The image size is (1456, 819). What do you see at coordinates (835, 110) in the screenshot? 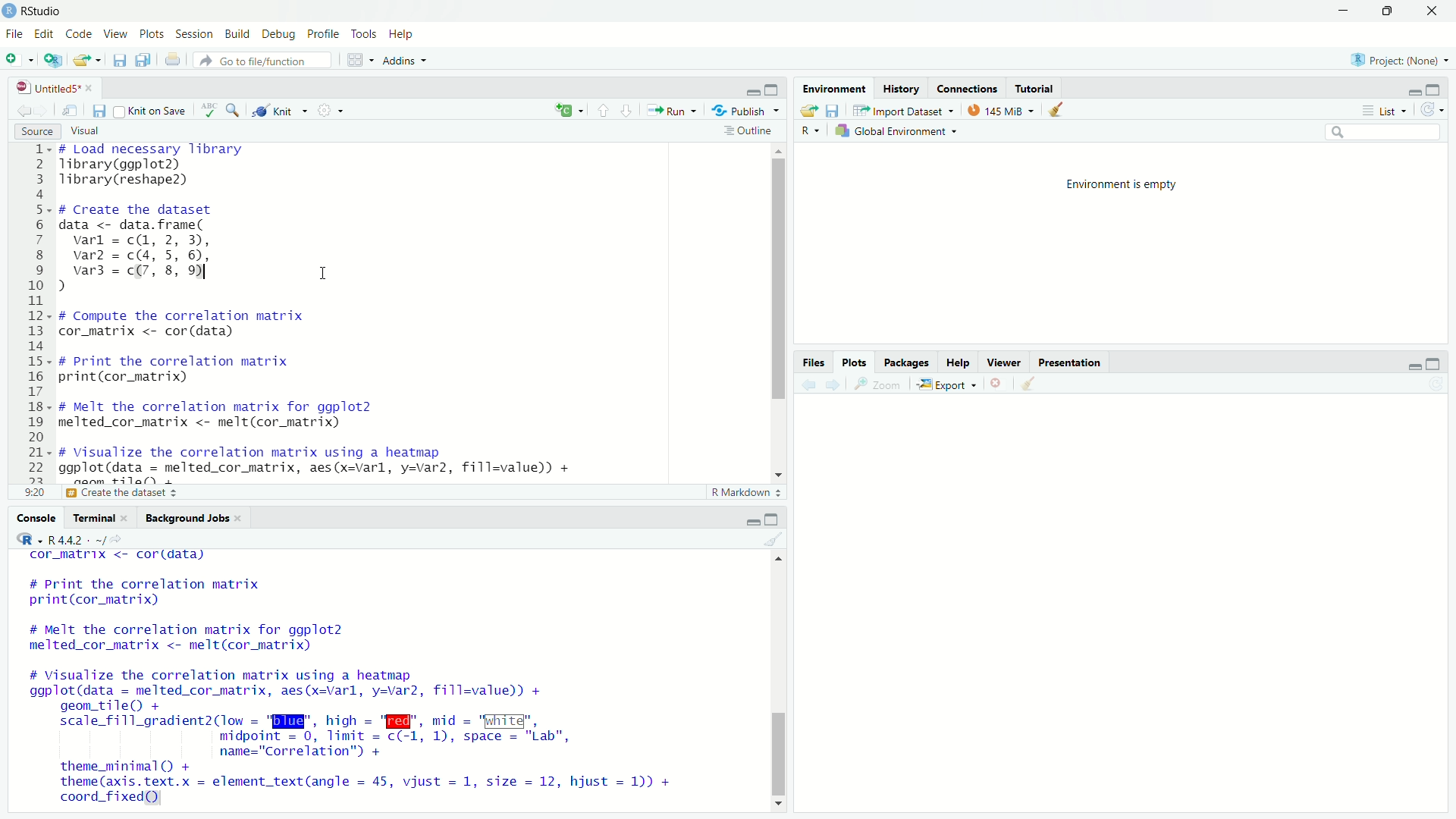
I see `save workspace as` at bounding box center [835, 110].